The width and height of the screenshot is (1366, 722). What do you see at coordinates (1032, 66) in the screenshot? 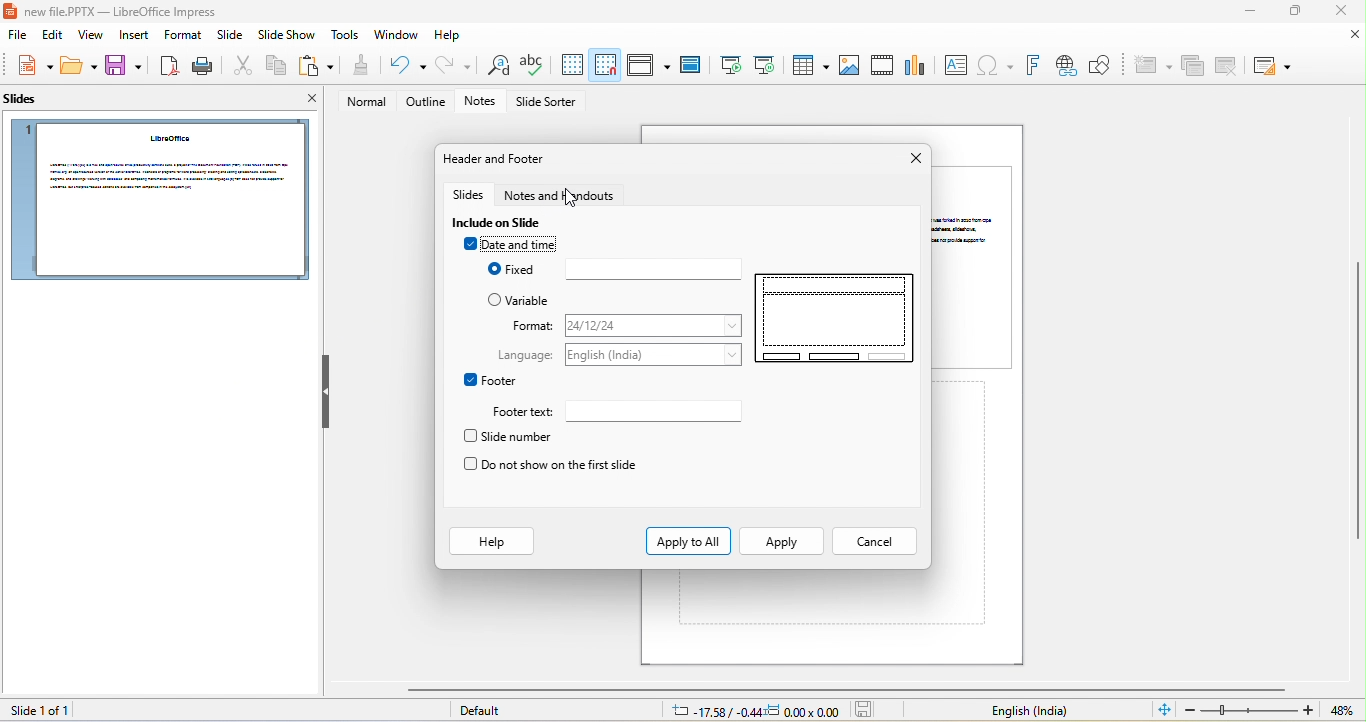
I see `font work text` at bounding box center [1032, 66].